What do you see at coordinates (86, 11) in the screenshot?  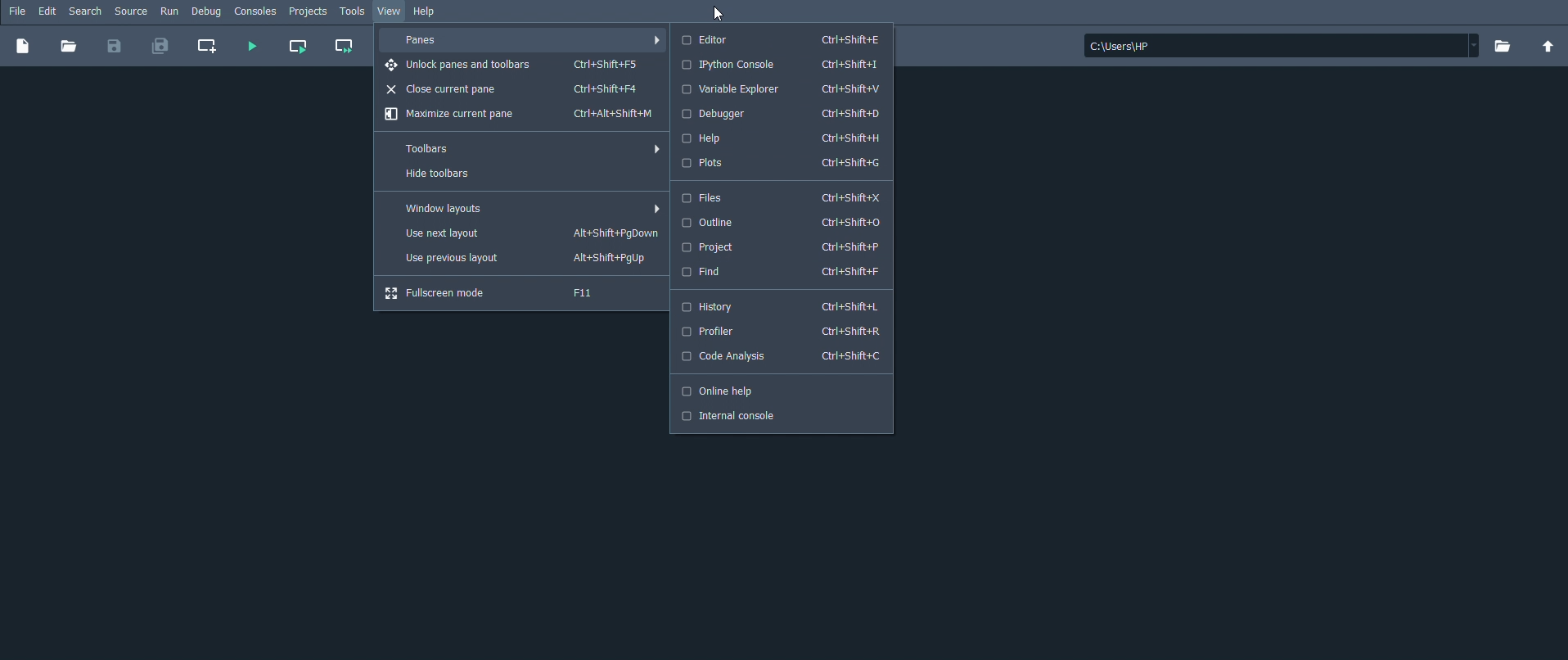 I see `Search` at bounding box center [86, 11].